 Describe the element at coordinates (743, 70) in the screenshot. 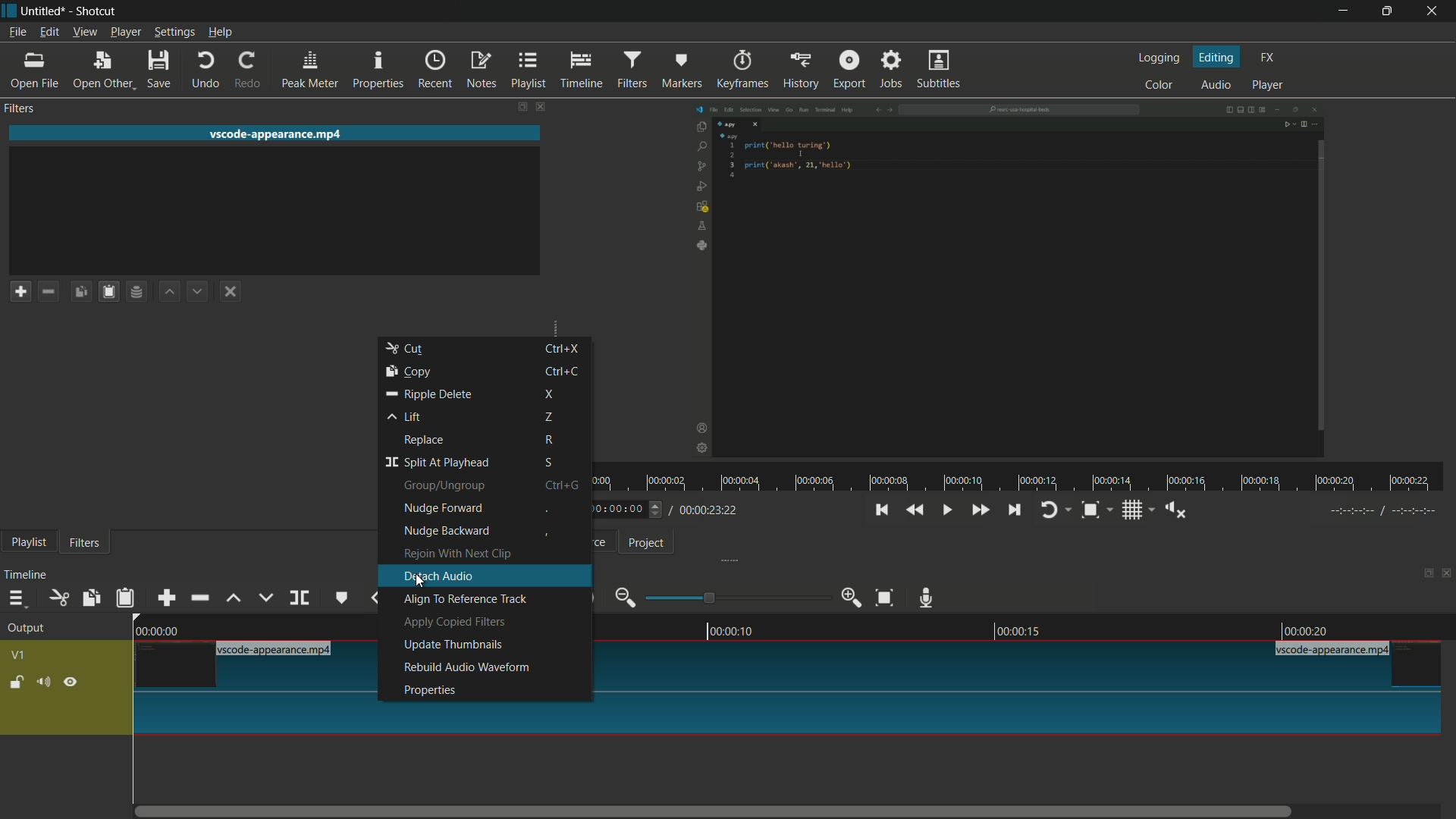

I see `keyframes` at that location.